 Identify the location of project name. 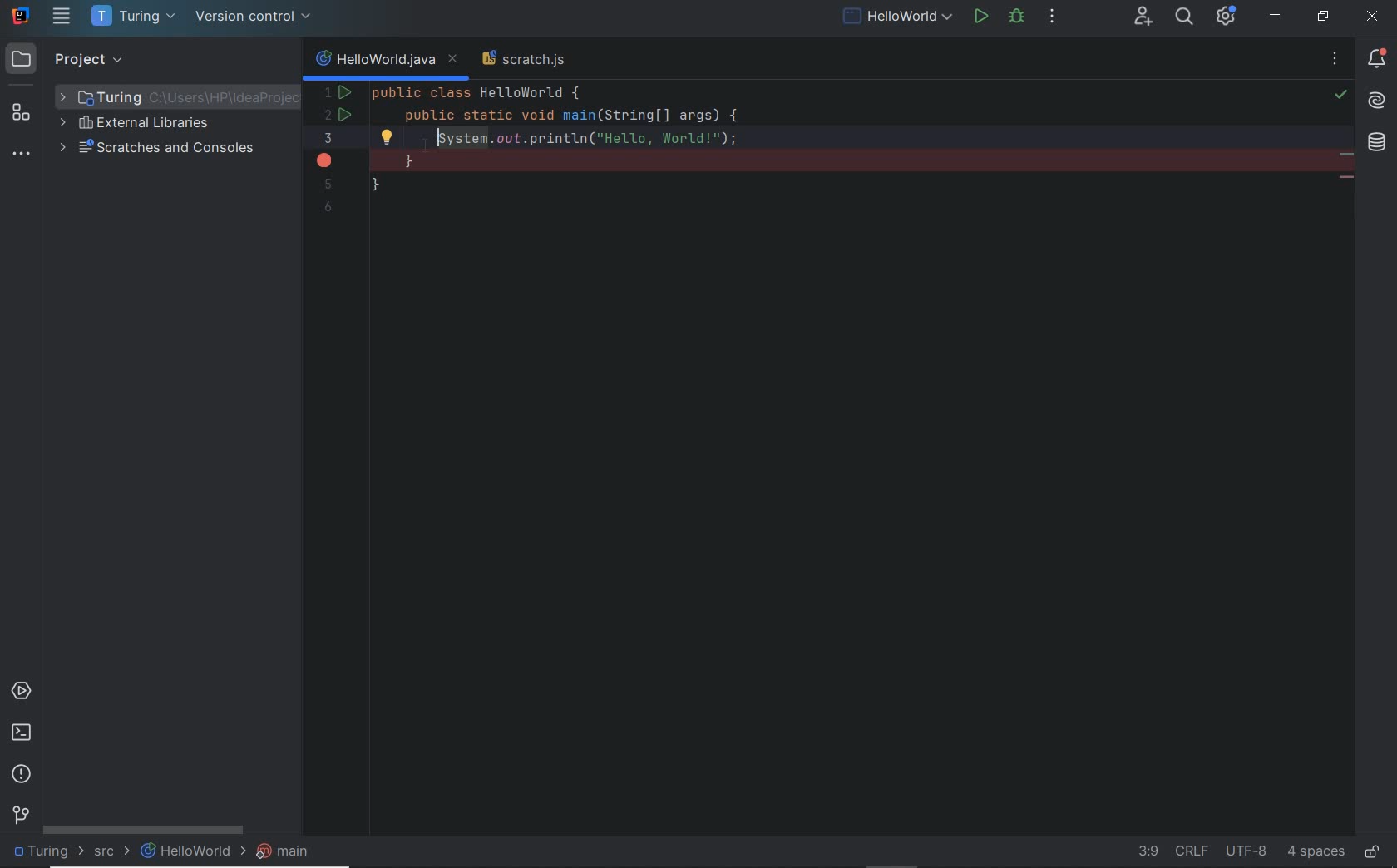
(131, 17).